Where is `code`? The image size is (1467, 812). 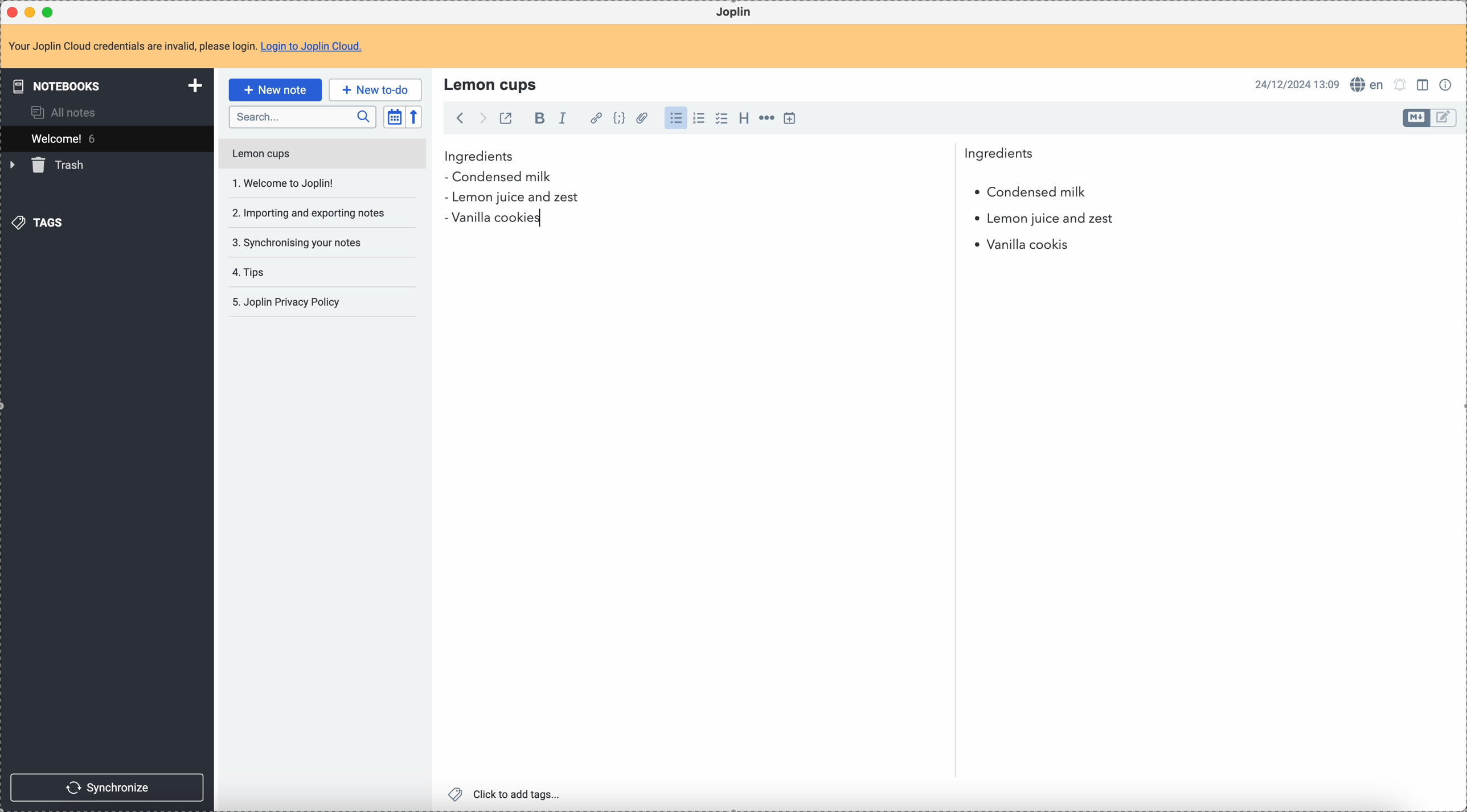
code is located at coordinates (619, 119).